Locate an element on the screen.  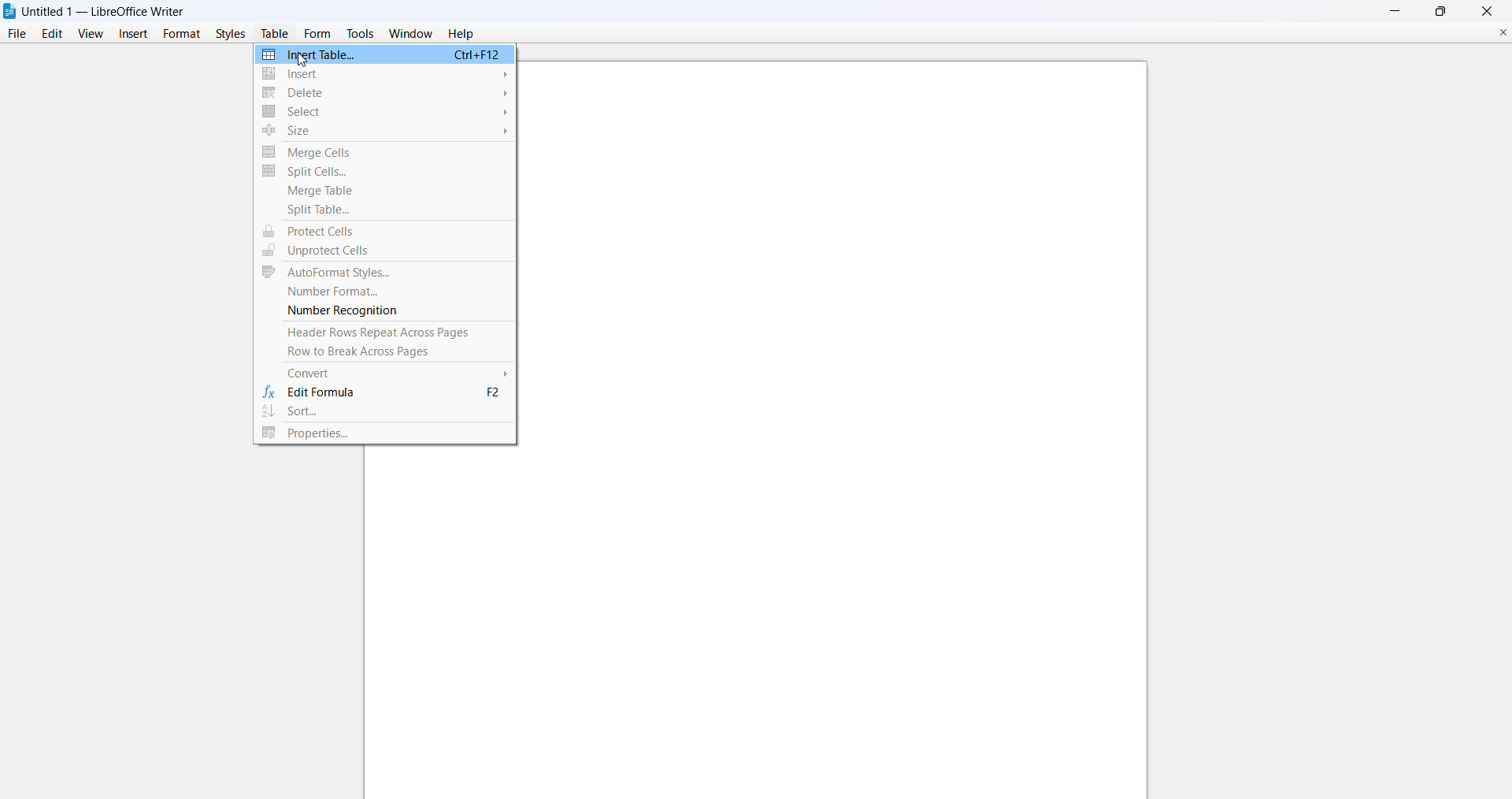
styles is located at coordinates (228, 33).